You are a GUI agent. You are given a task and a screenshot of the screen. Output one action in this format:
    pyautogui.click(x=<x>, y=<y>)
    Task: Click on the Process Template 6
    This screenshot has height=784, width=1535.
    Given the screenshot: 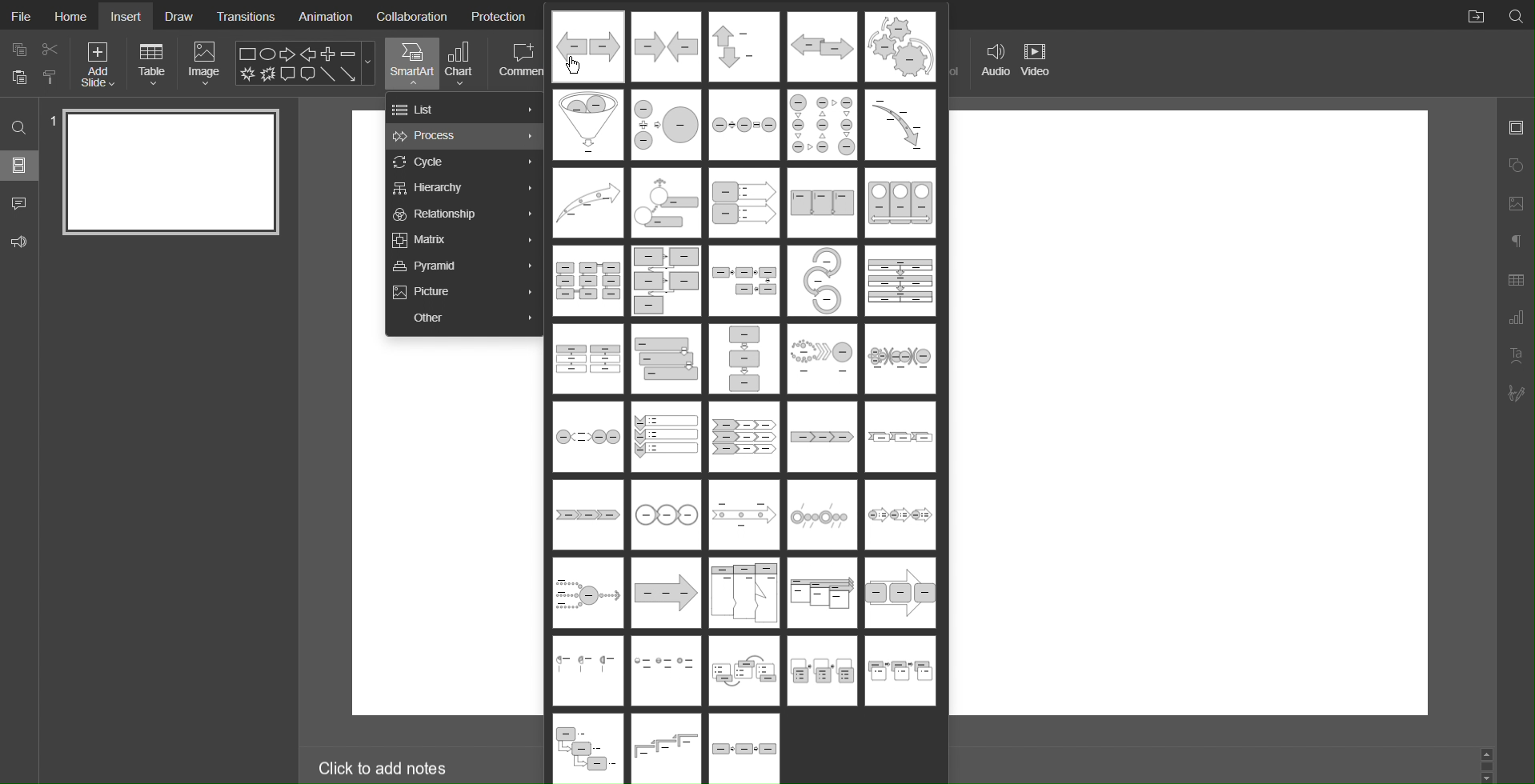 What is the action you would take?
    pyautogui.click(x=587, y=125)
    